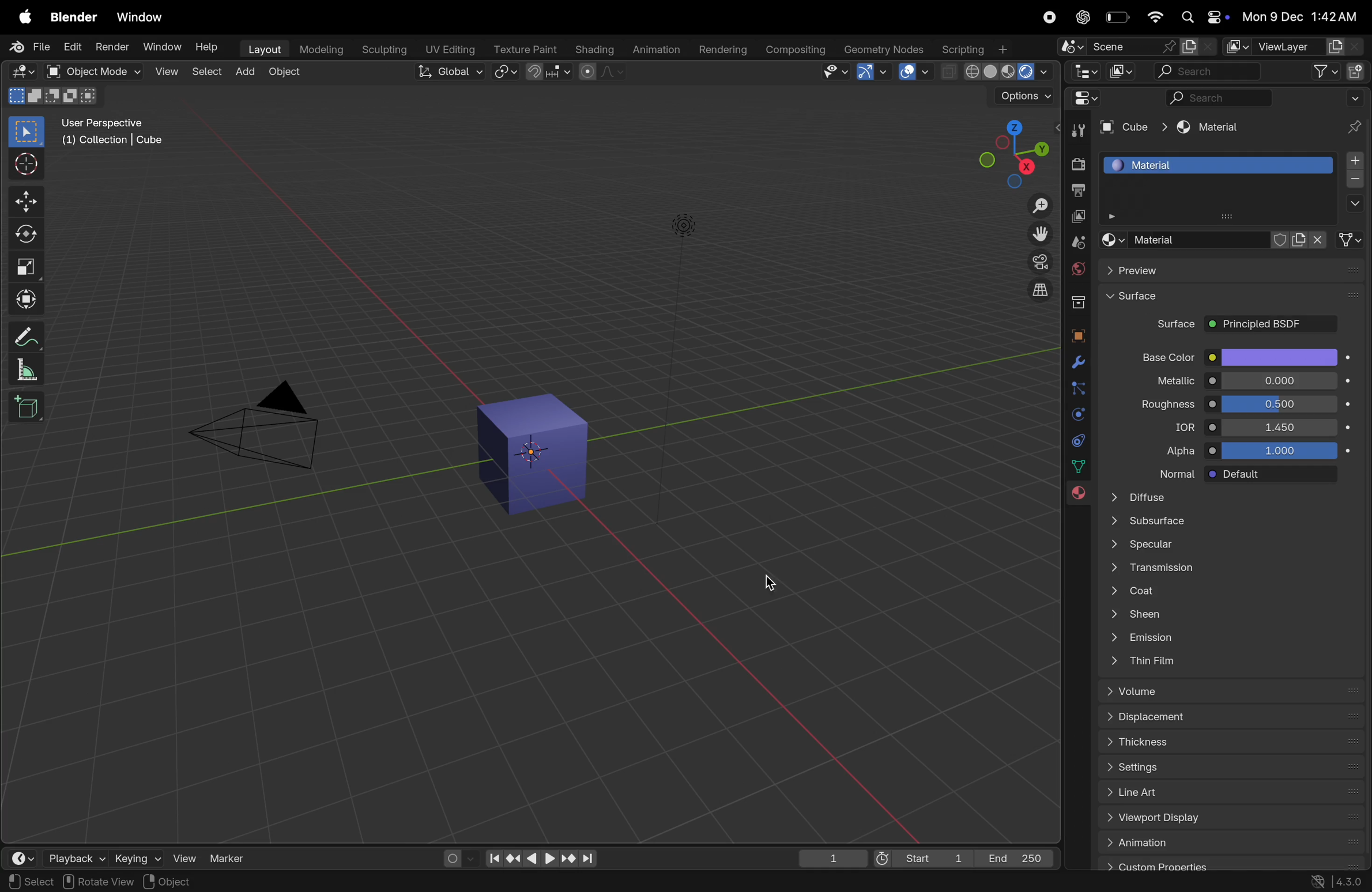  I want to click on rendering, so click(723, 50).